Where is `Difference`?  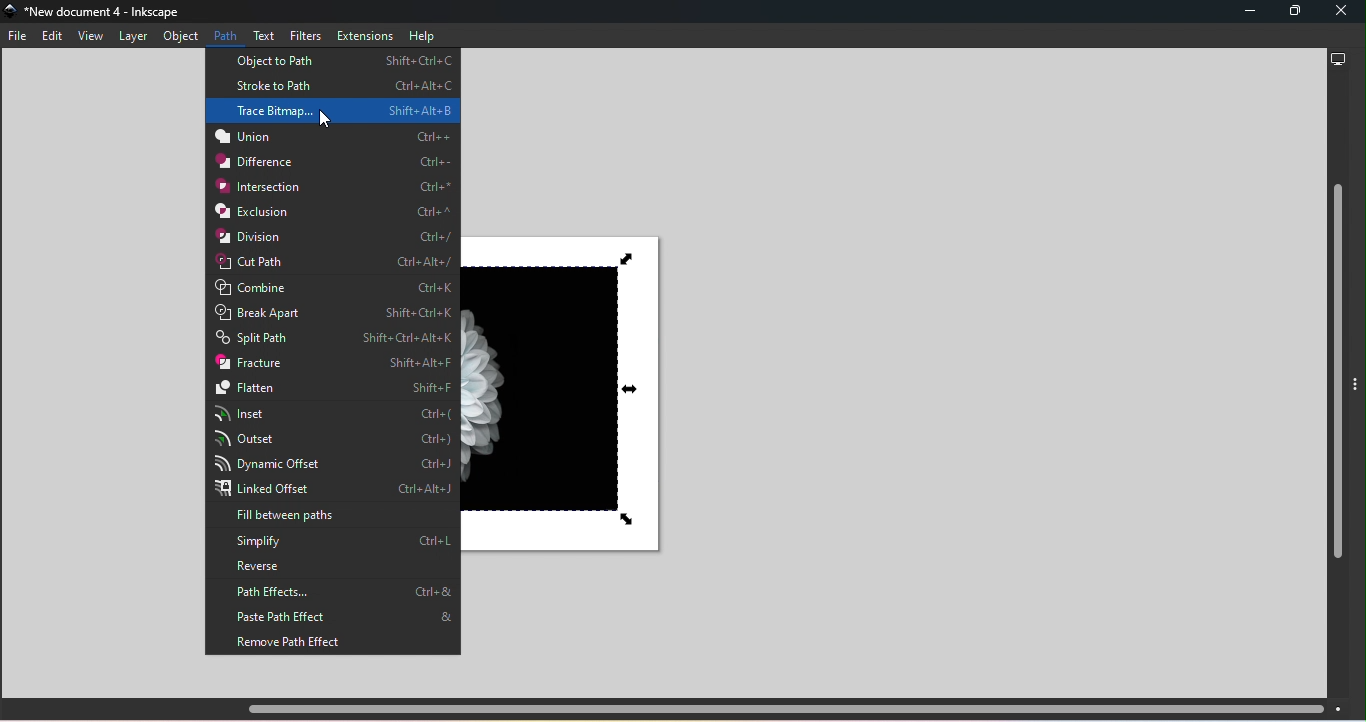 Difference is located at coordinates (332, 160).